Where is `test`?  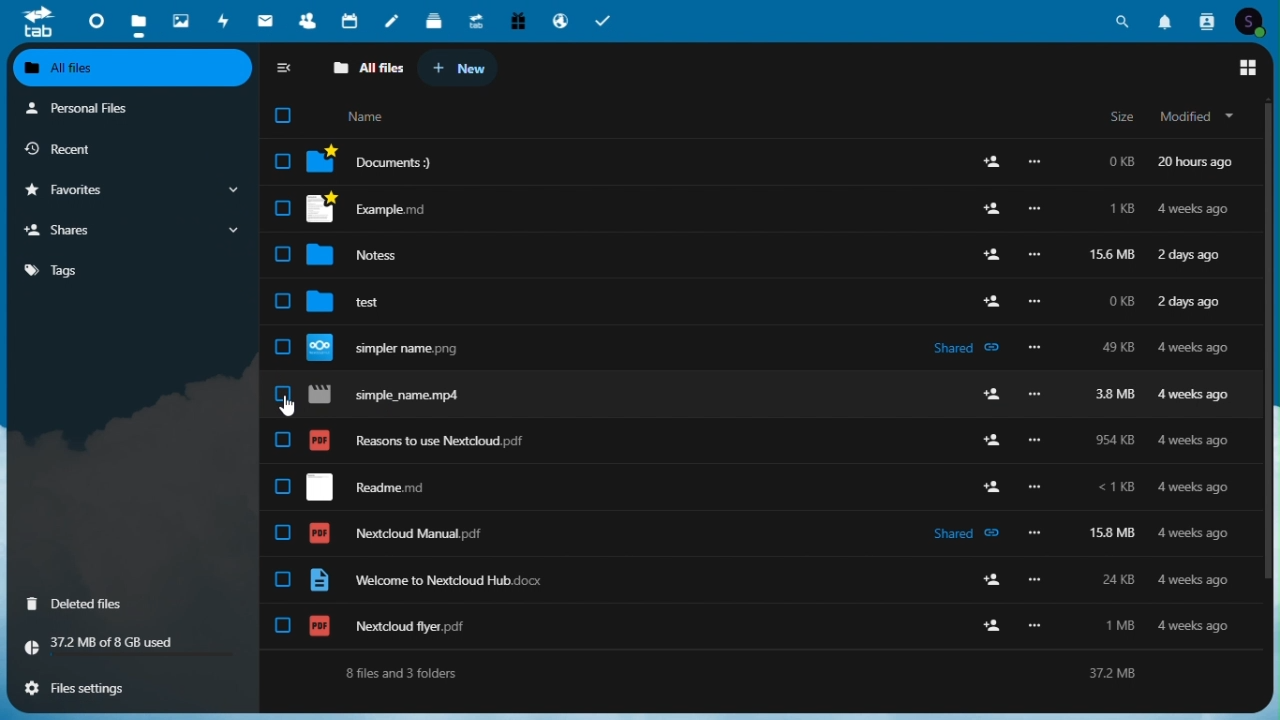
test is located at coordinates (760, 300).